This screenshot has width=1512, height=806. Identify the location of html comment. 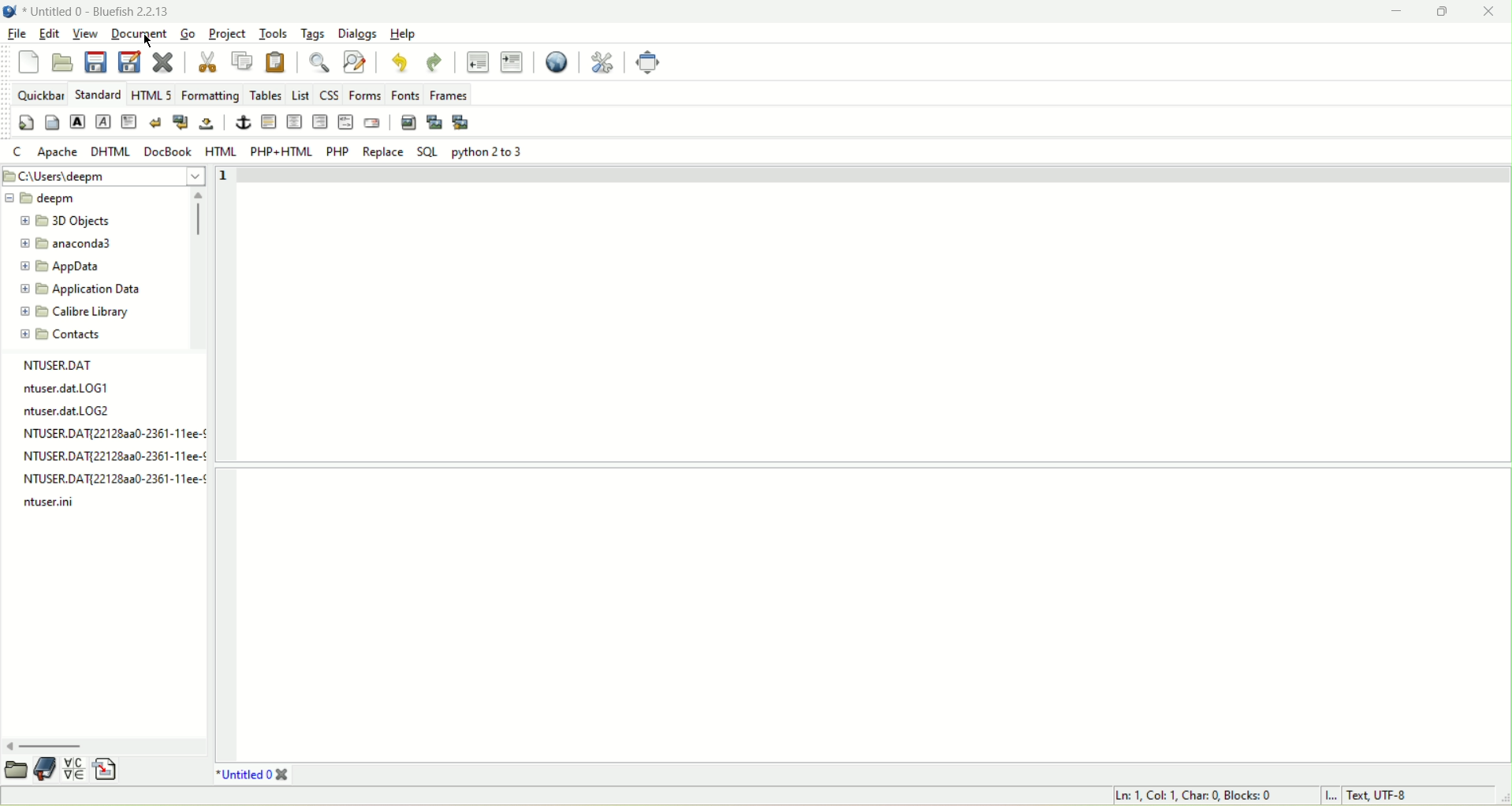
(346, 122).